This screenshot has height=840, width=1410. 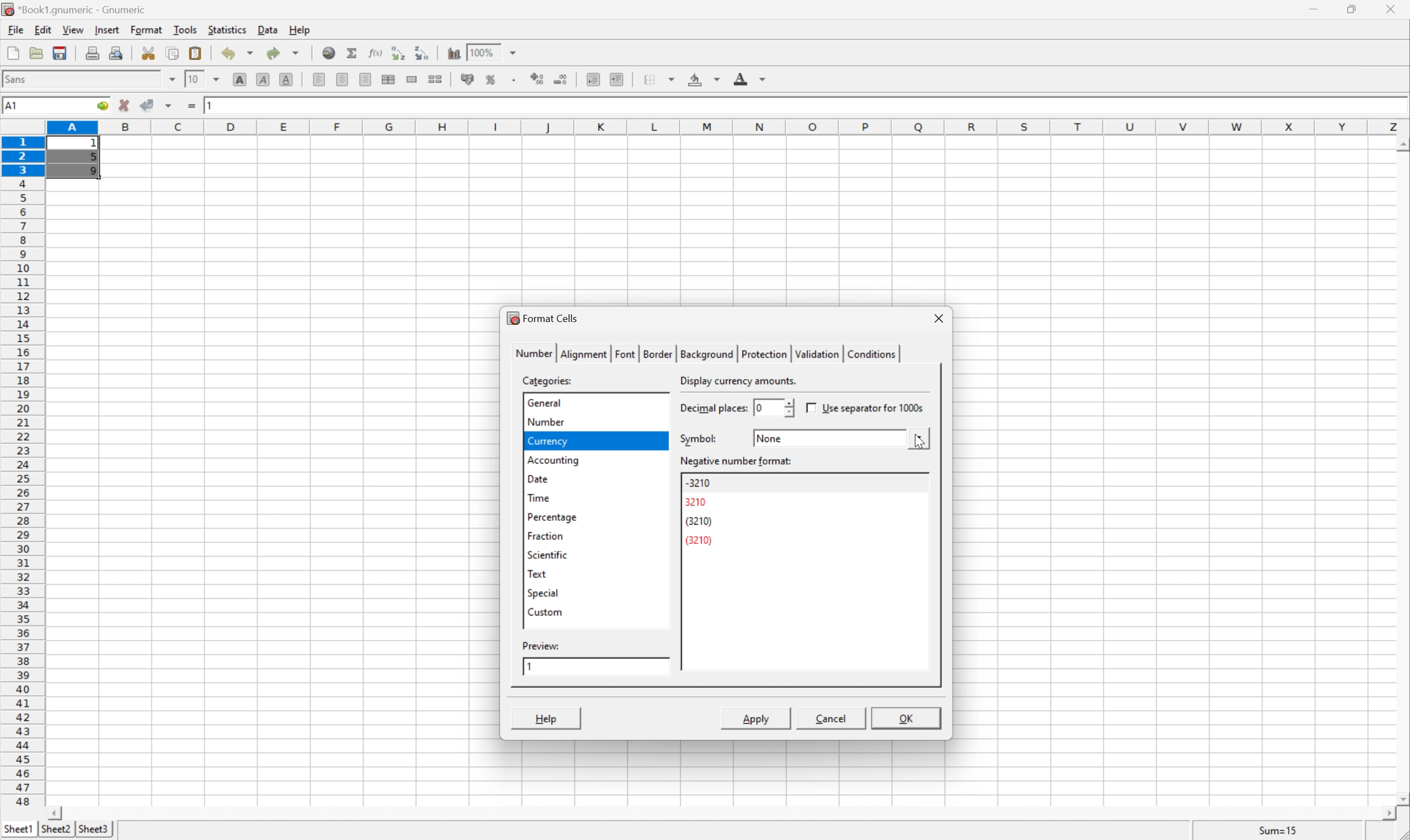 I want to click on scroll left, so click(x=54, y=814).